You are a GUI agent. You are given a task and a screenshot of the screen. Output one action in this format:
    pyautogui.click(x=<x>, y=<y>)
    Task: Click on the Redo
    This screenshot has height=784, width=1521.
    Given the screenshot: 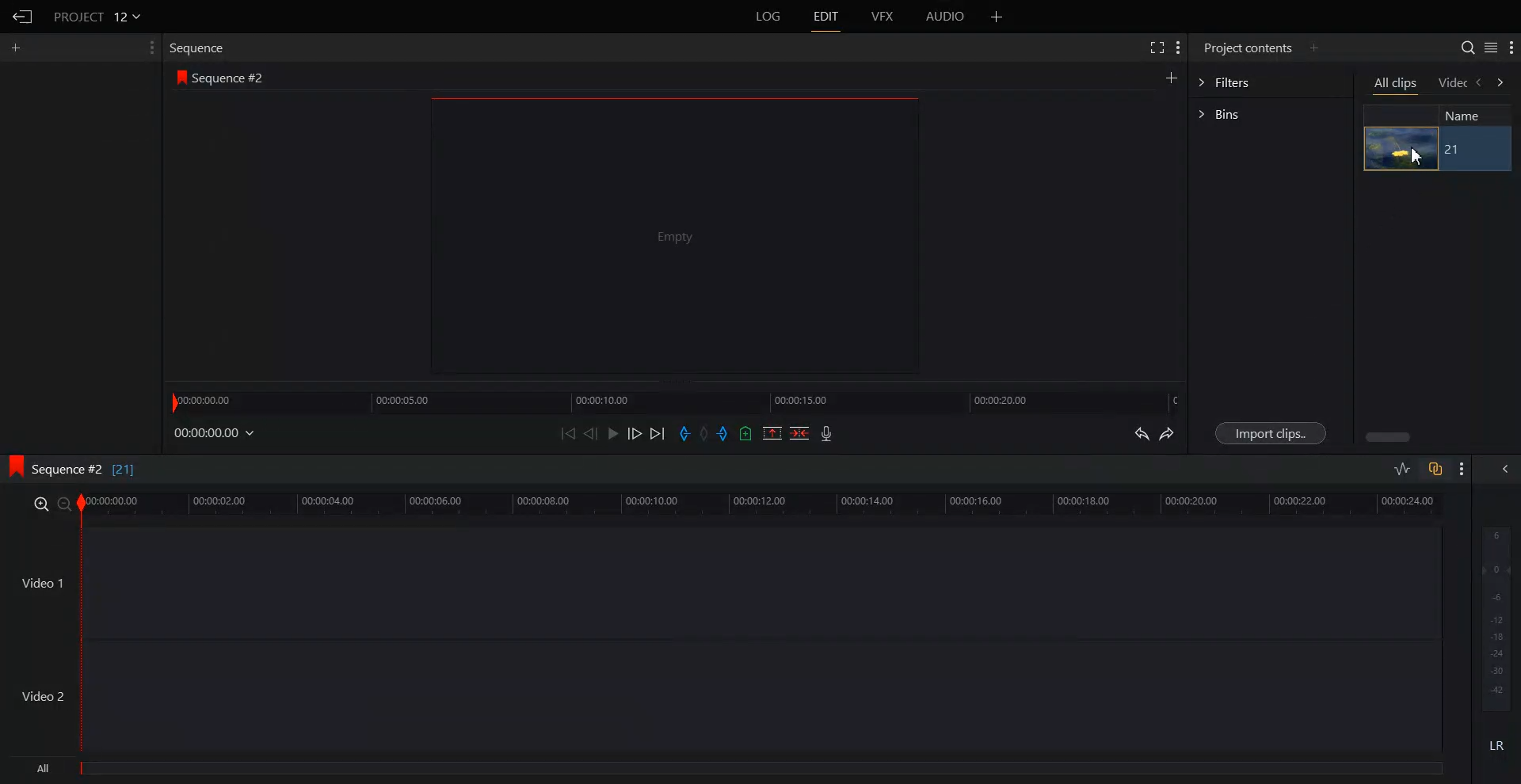 What is the action you would take?
    pyautogui.click(x=1167, y=433)
    